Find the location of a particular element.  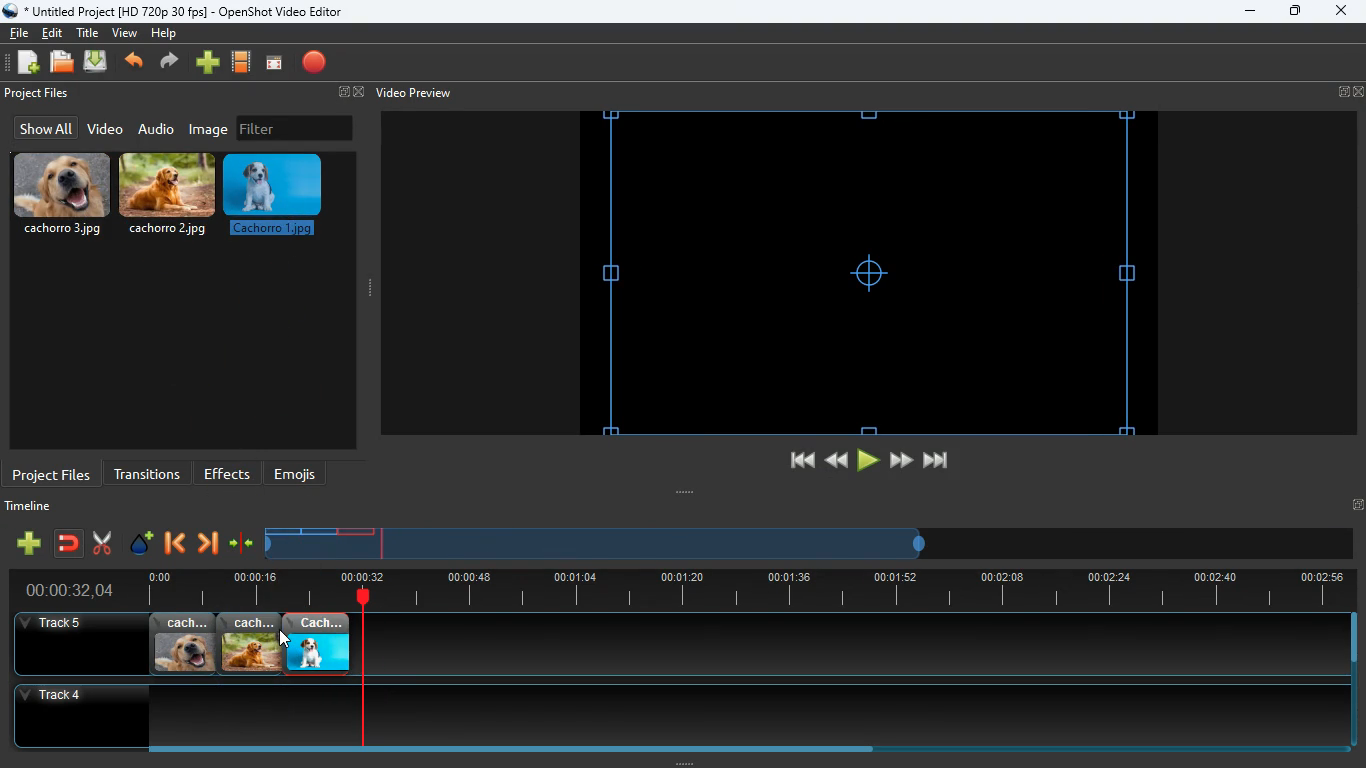

play is located at coordinates (868, 461).